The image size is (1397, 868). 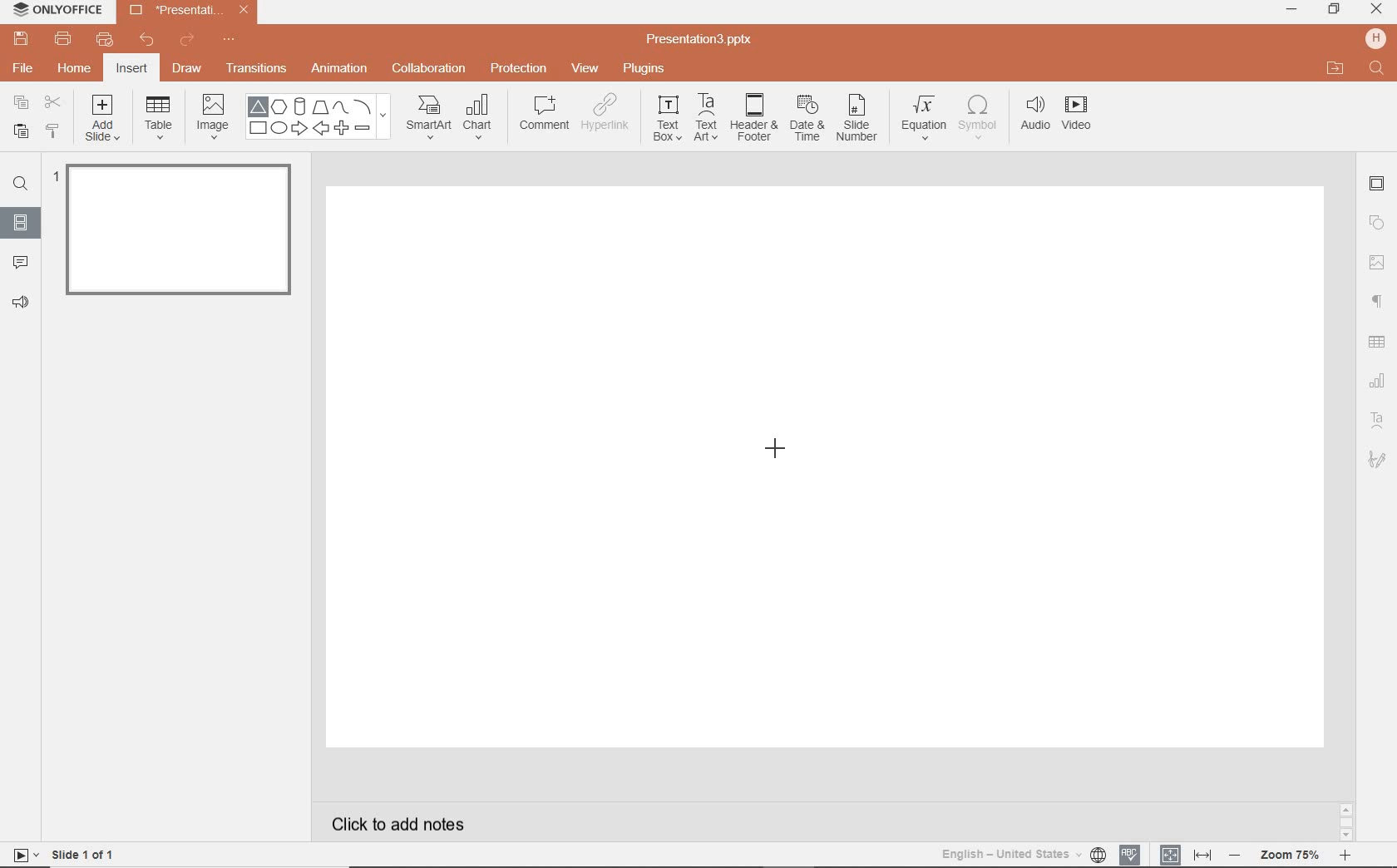 What do you see at coordinates (23, 302) in the screenshot?
I see `FEEDBACK & SUPPORT` at bounding box center [23, 302].